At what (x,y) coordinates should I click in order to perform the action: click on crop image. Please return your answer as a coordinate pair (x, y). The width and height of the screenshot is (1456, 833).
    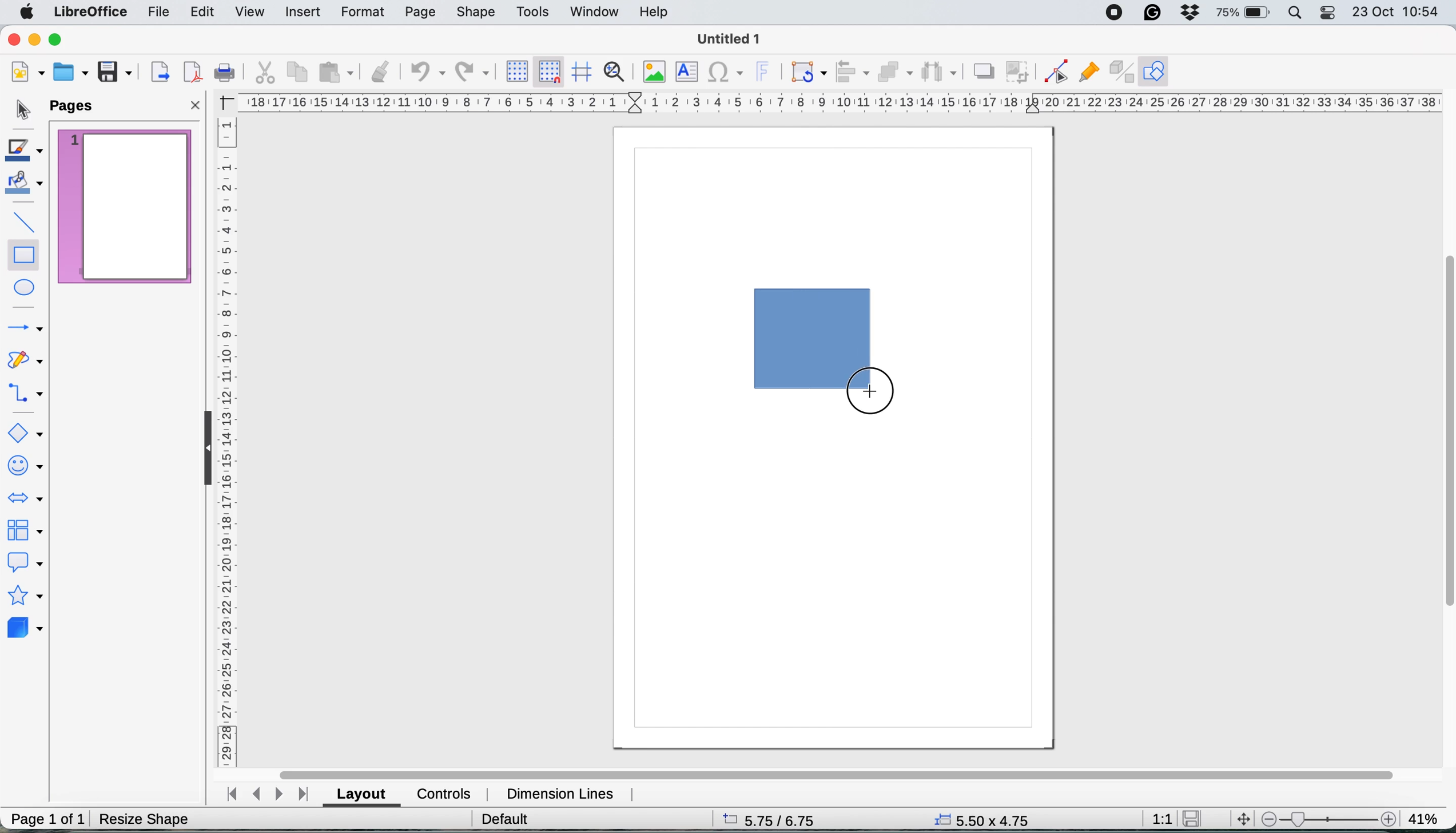
    Looking at the image, I should click on (1018, 73).